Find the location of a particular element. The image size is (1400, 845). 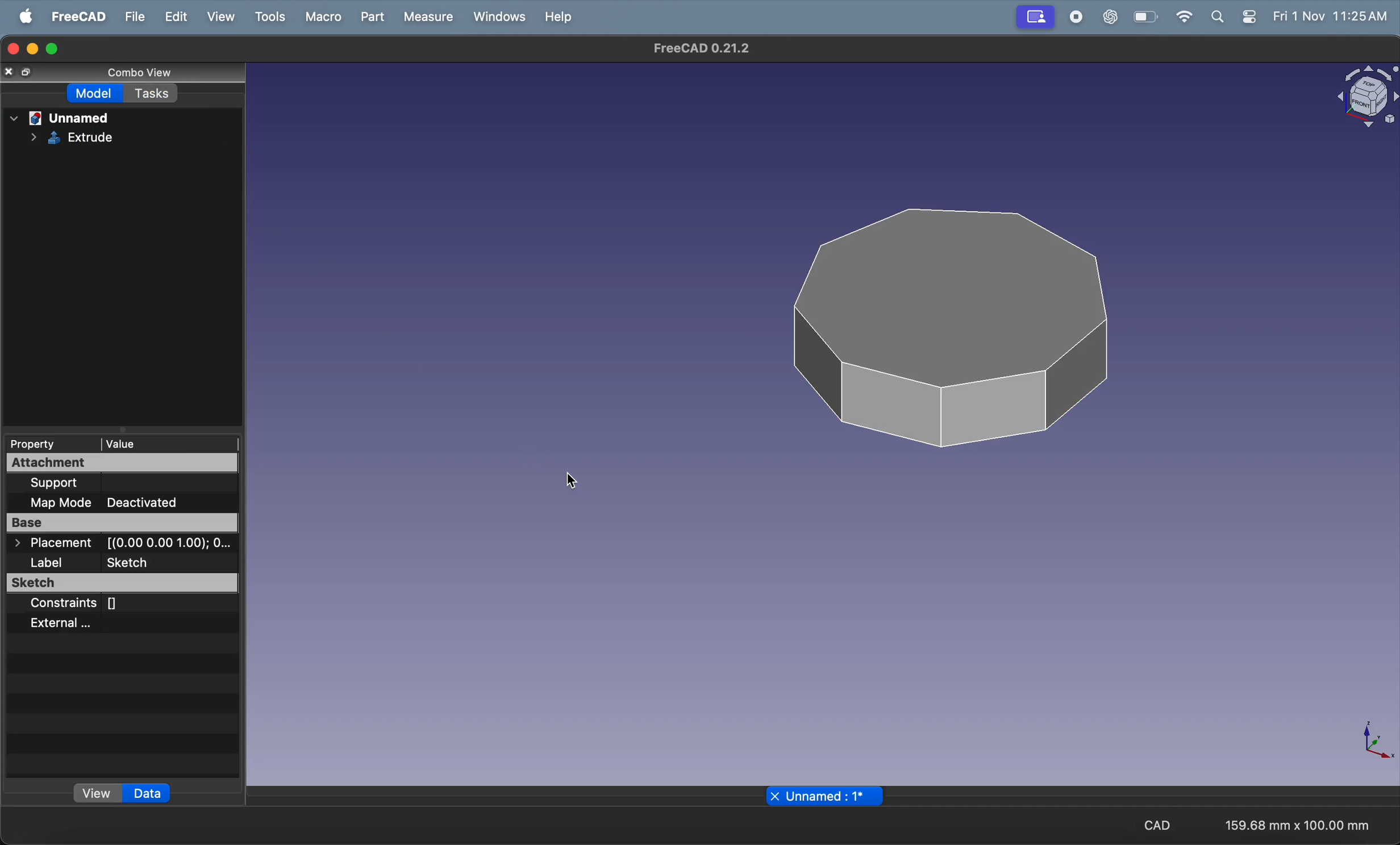

apple menu is located at coordinates (22, 16).